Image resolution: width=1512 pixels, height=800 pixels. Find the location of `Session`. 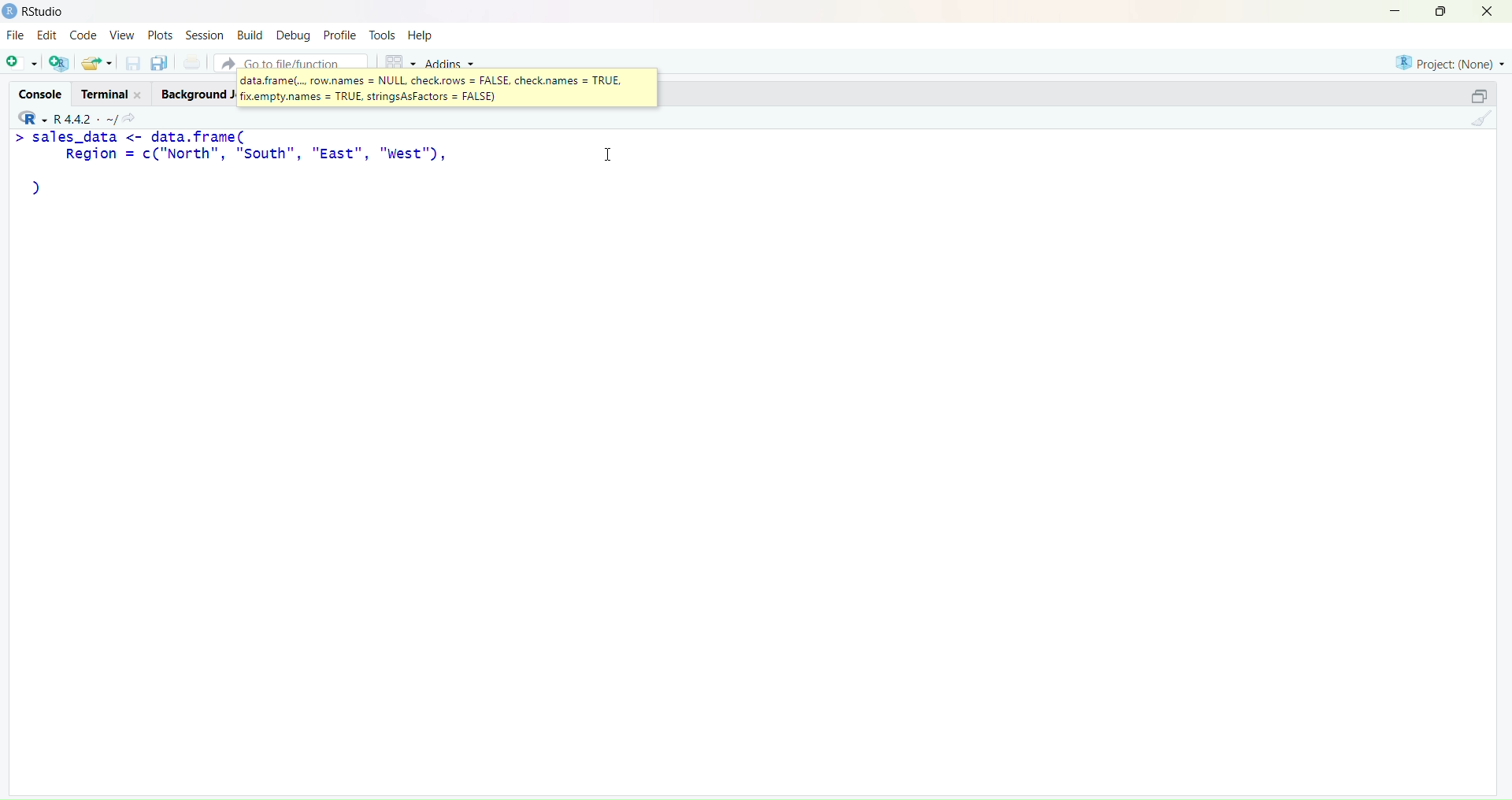

Session is located at coordinates (202, 35).